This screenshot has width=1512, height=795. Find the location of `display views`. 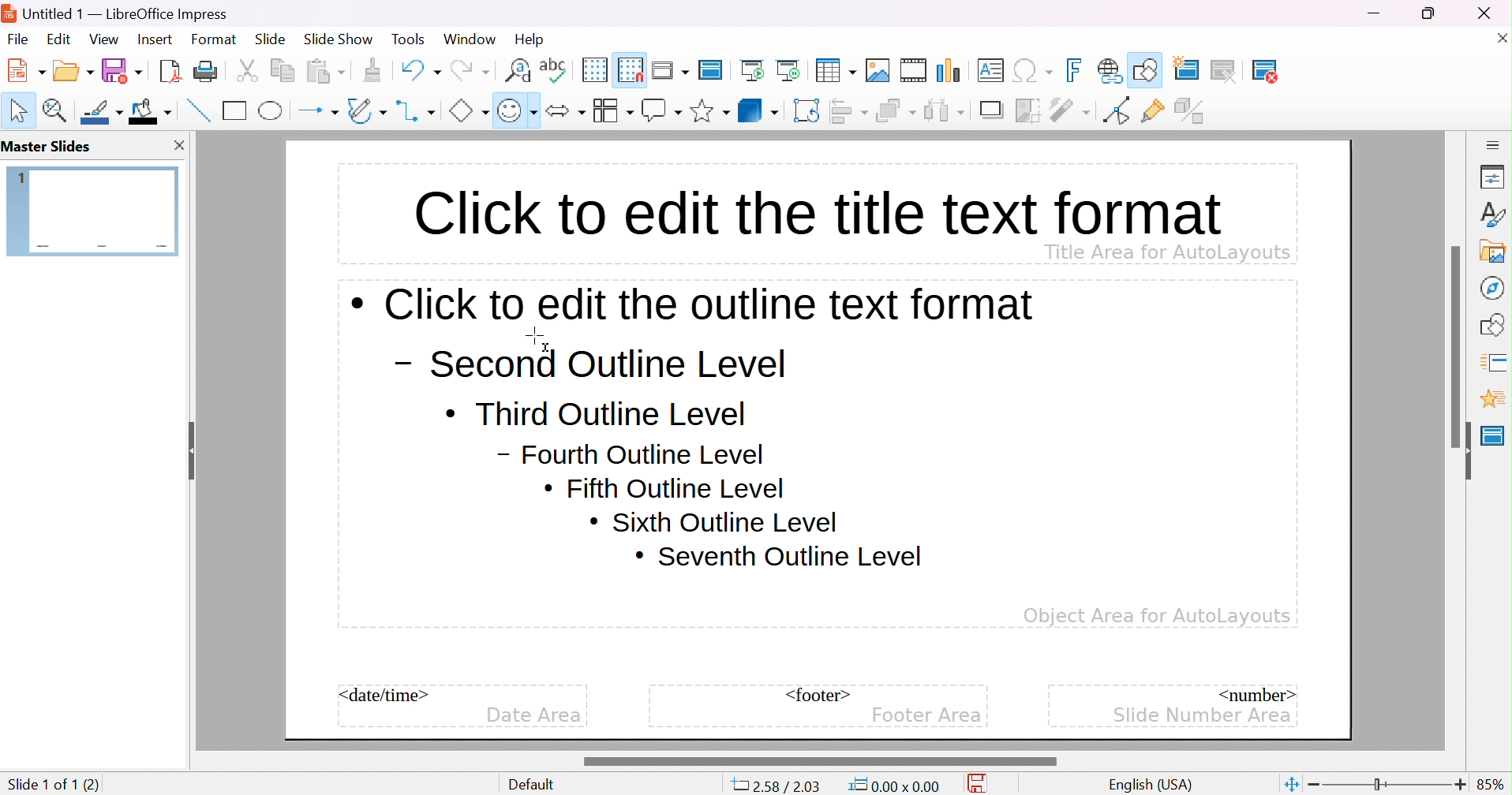

display views is located at coordinates (672, 69).